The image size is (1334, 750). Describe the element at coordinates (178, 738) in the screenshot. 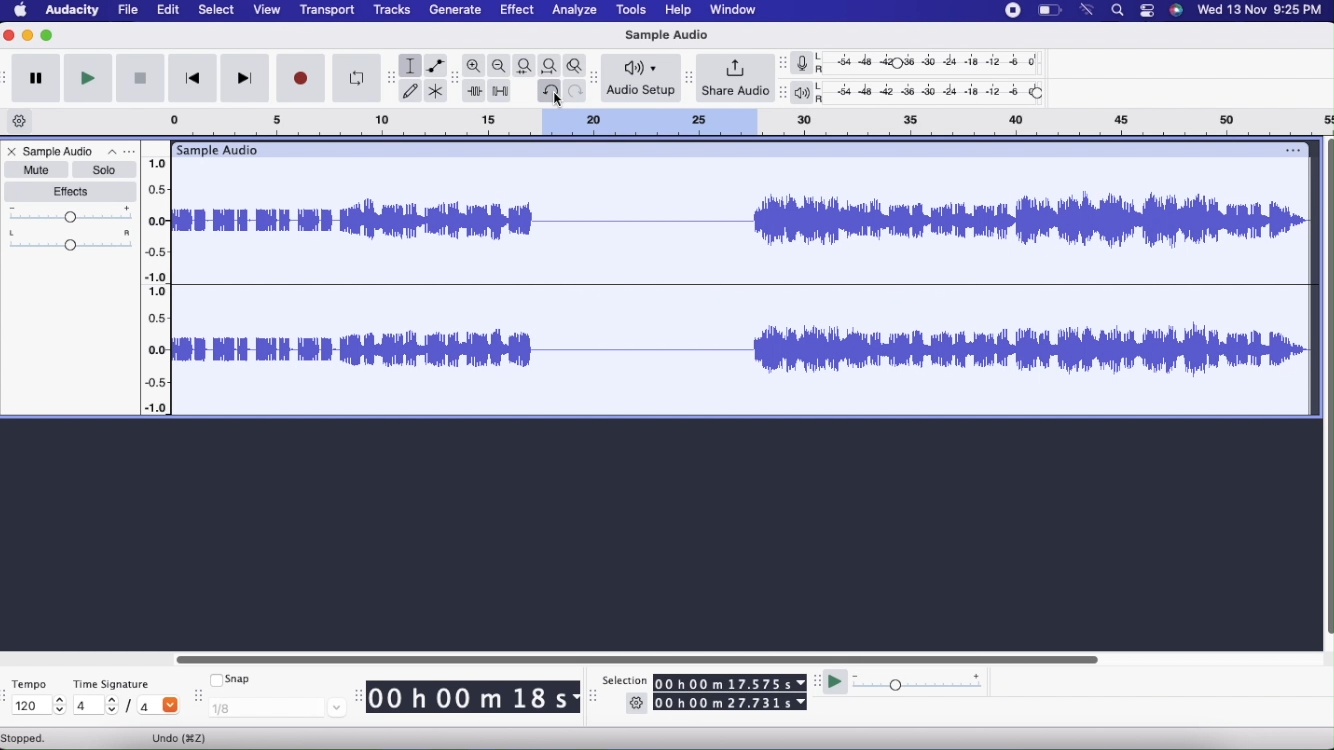

I see `Undo` at that location.